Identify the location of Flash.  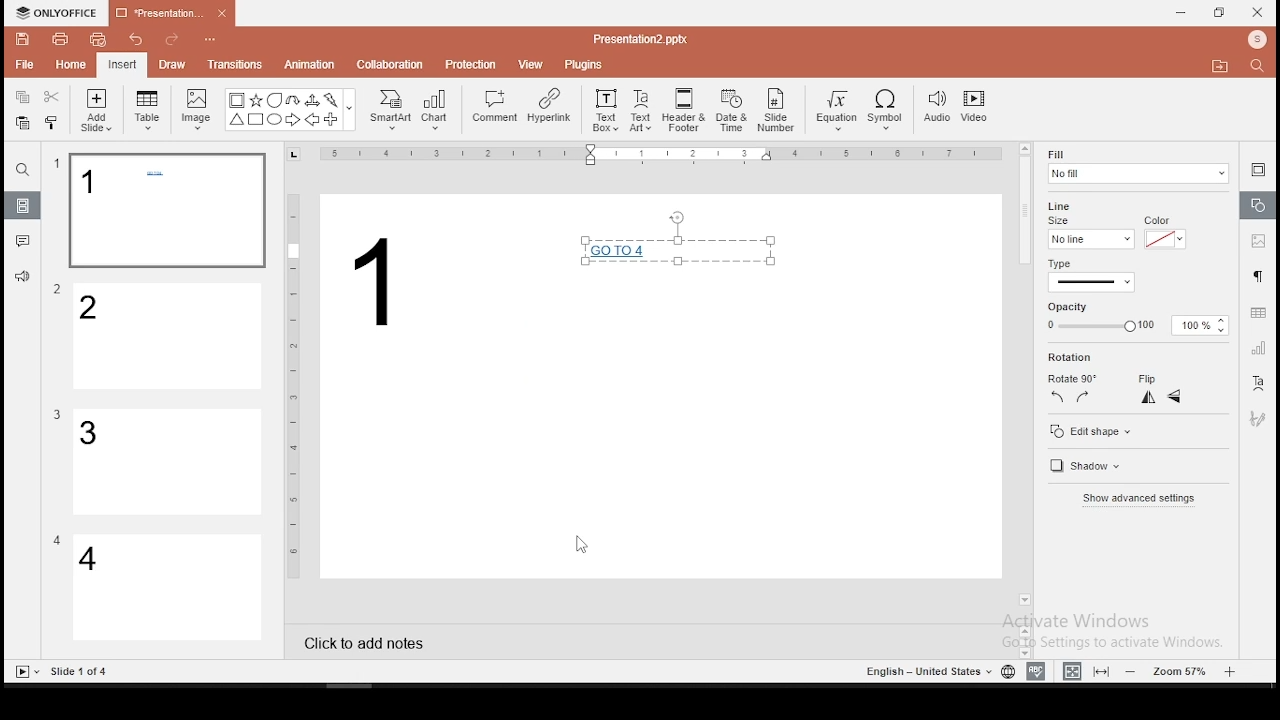
(333, 100).